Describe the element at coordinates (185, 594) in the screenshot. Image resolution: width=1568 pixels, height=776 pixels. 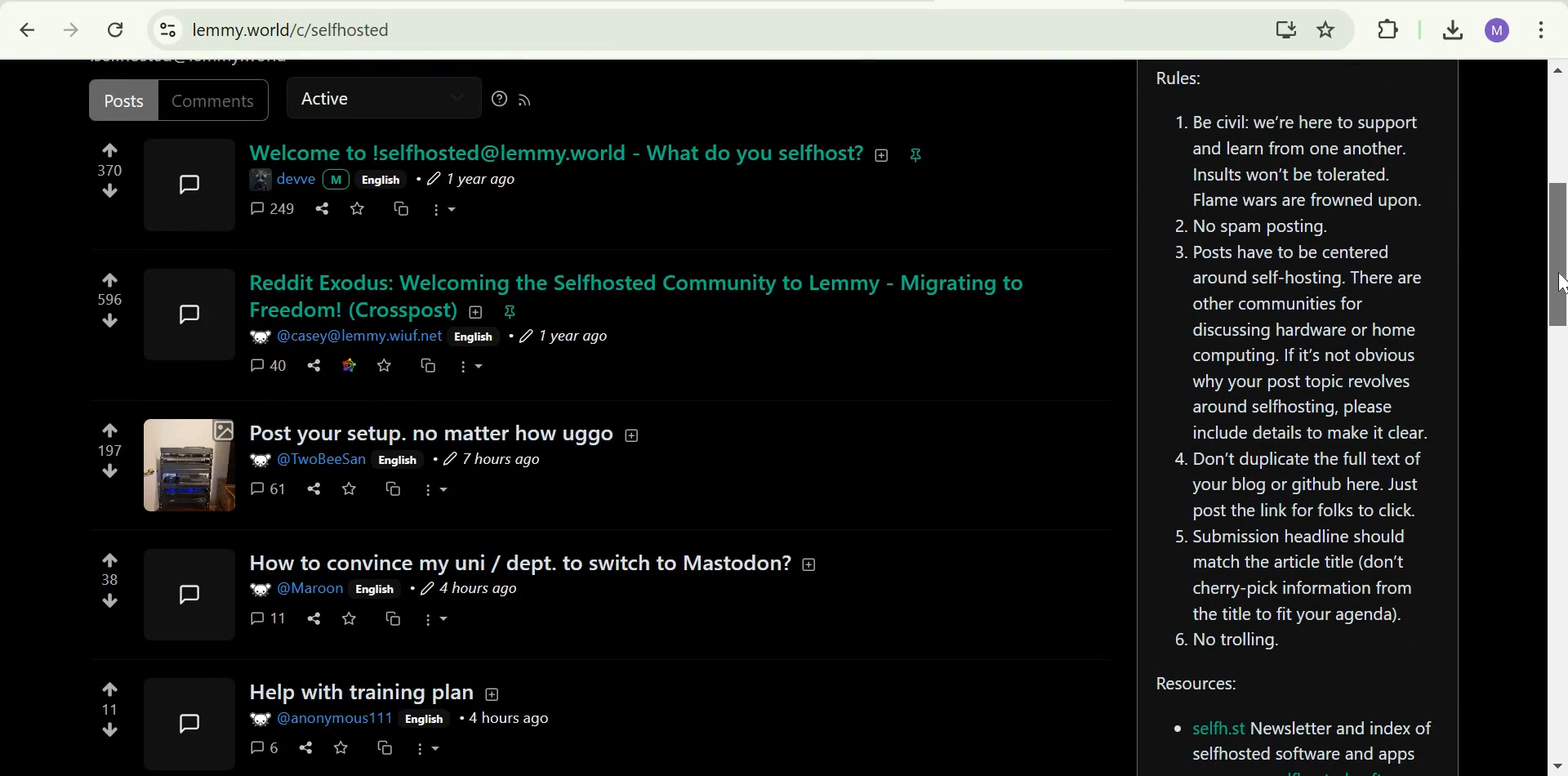
I see `expand here` at that location.